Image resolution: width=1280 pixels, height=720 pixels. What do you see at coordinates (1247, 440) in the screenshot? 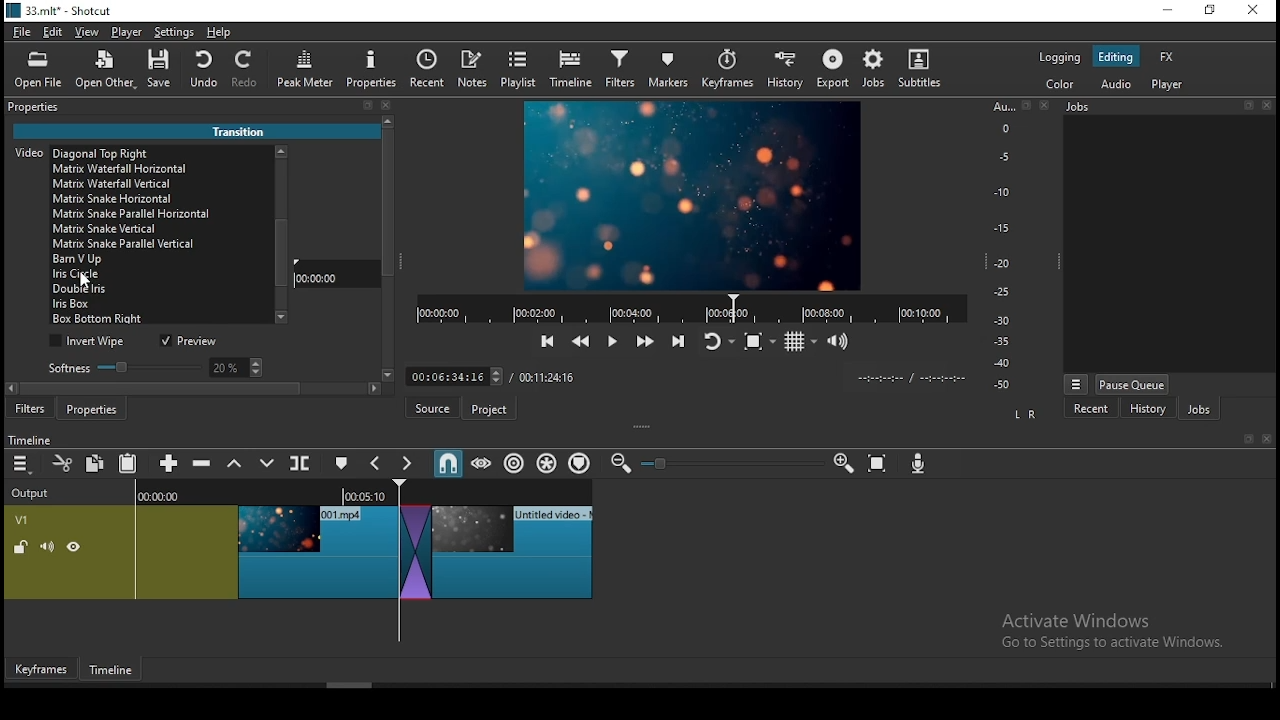
I see `` at bounding box center [1247, 440].